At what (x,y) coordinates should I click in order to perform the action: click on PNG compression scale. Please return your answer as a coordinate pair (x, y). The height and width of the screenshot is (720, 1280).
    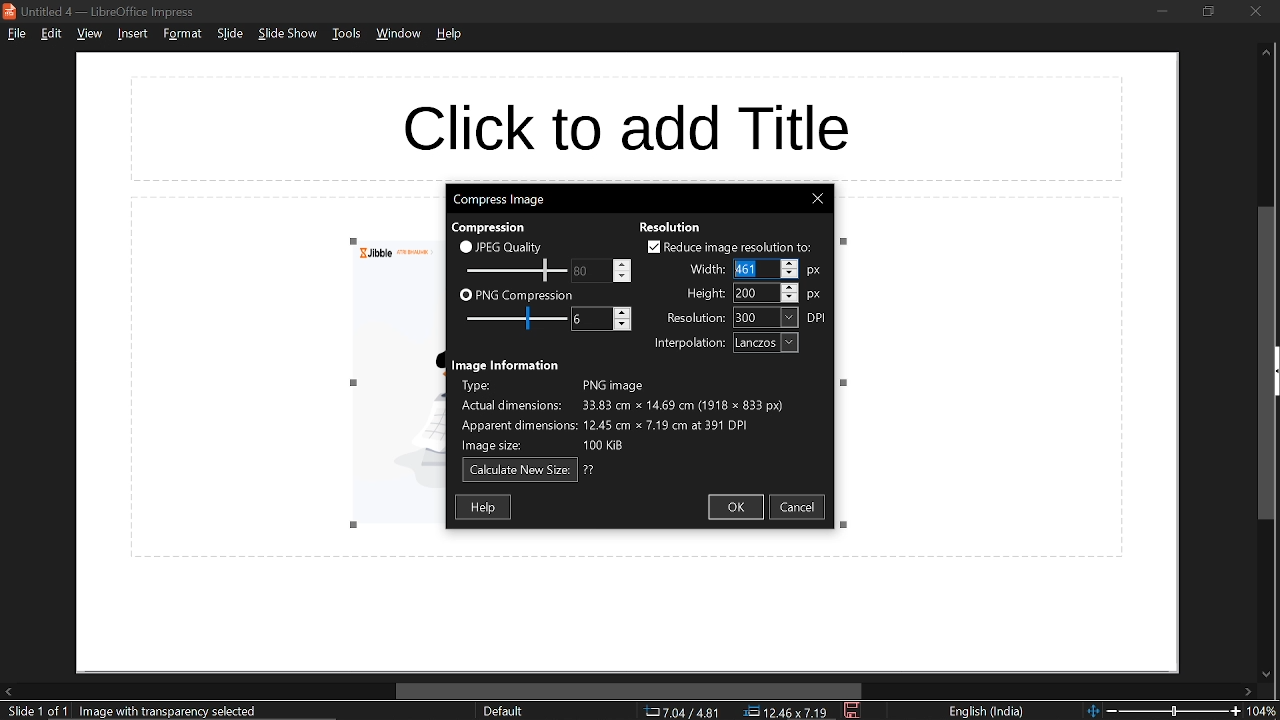
    Looking at the image, I should click on (513, 318).